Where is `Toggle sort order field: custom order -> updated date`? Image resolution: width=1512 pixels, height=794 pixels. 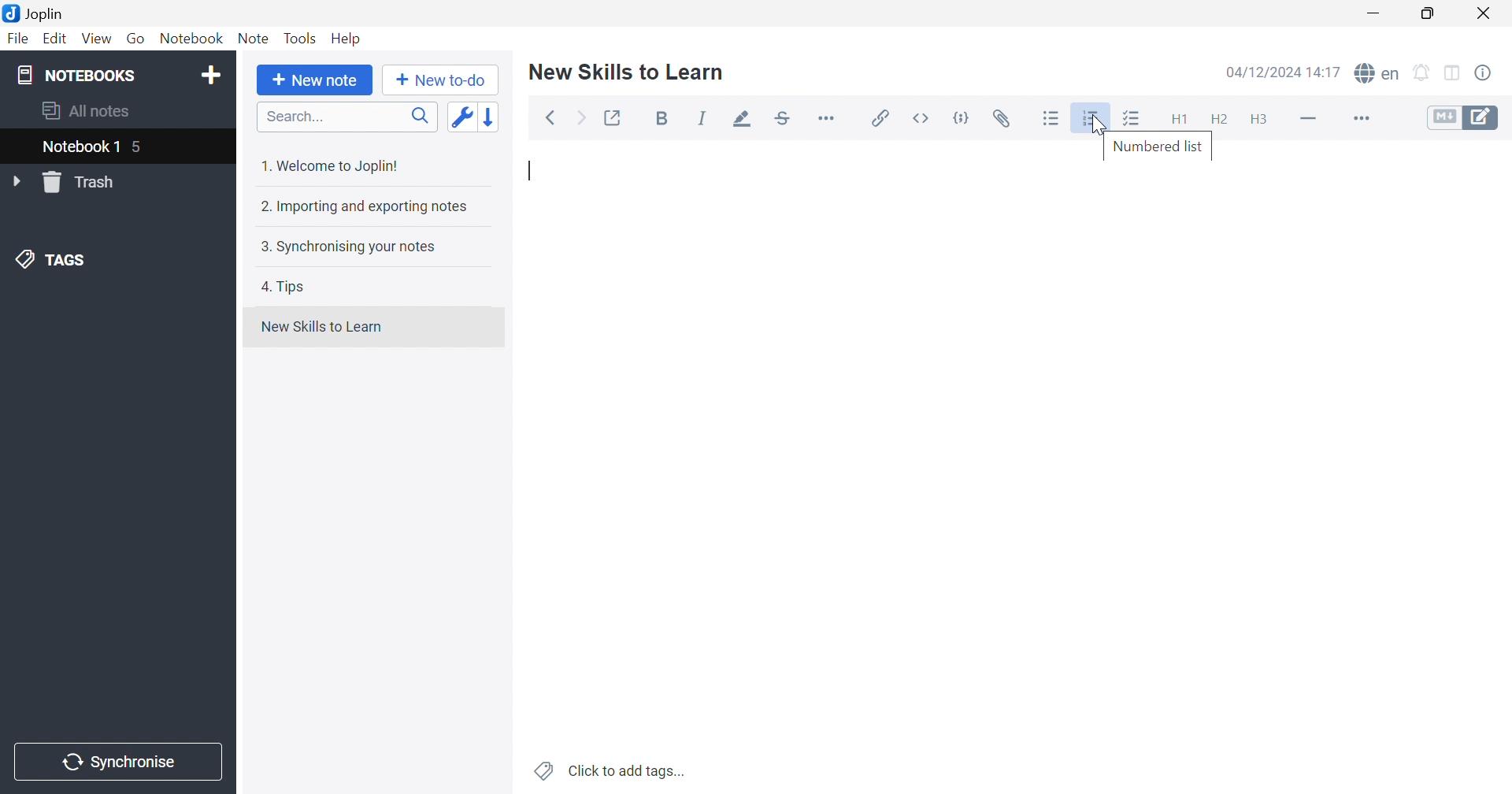 Toggle sort order field: custom order -> updated date is located at coordinates (461, 116).